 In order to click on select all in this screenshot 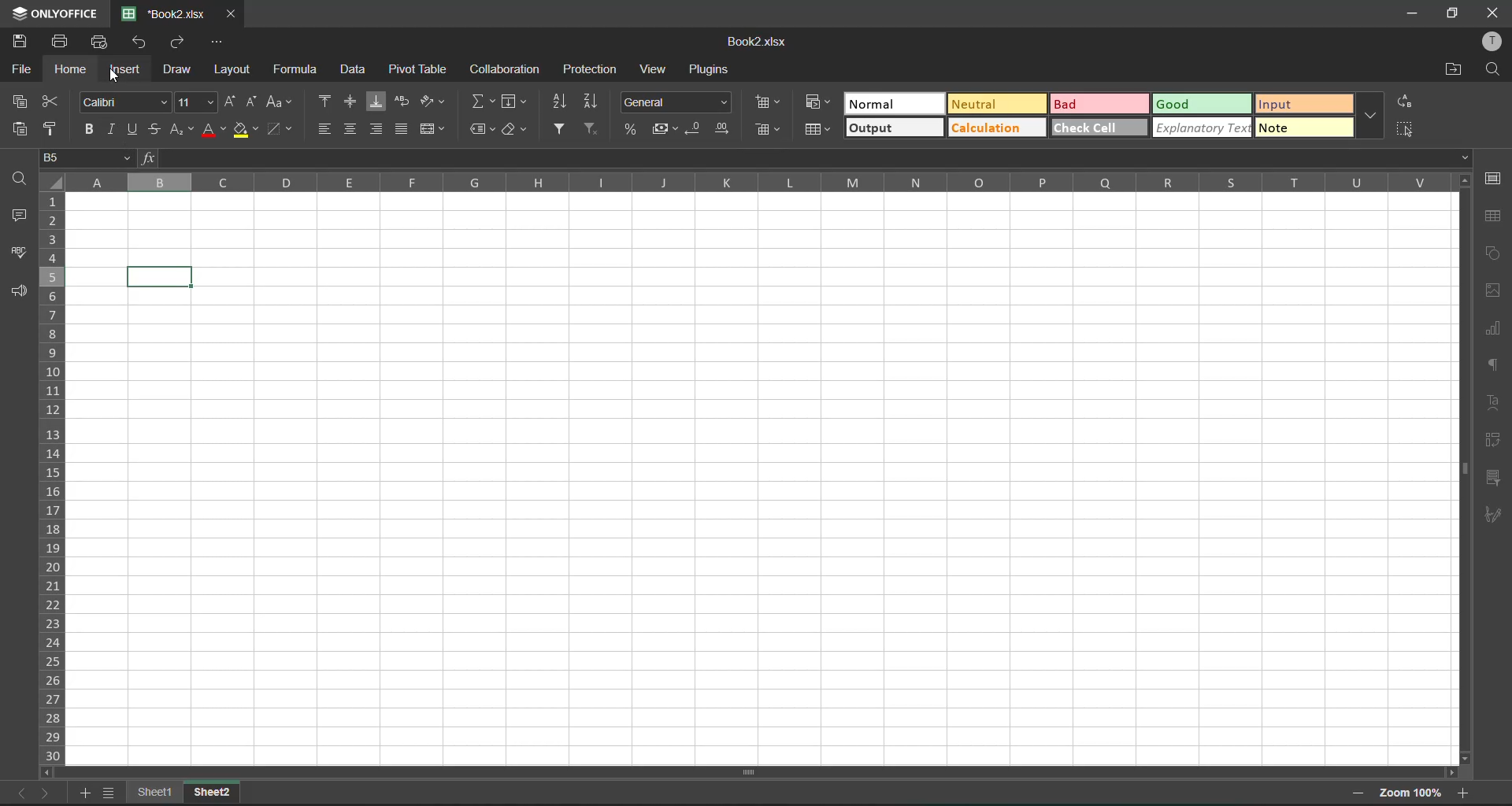, I will do `click(1405, 130)`.